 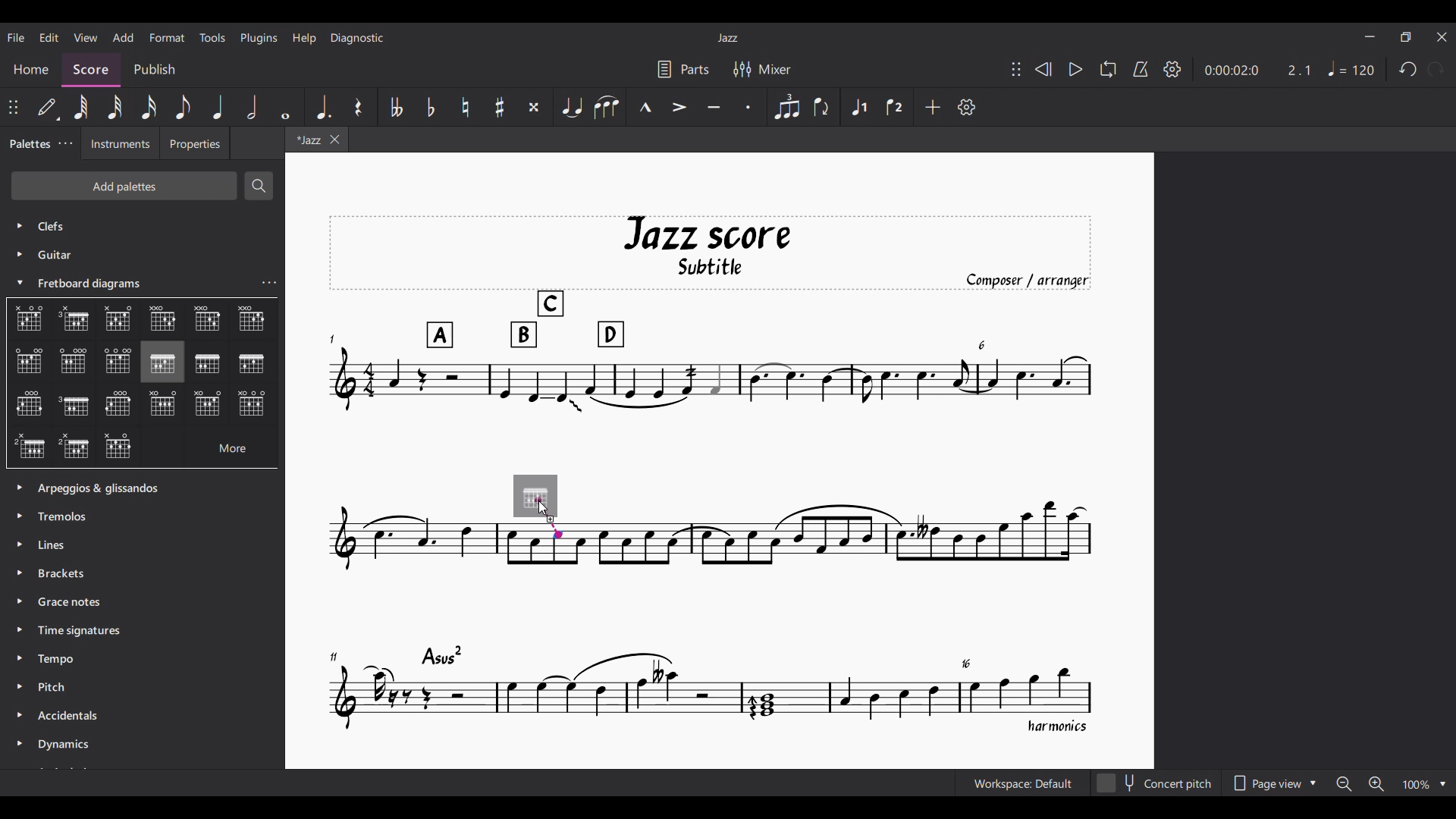 I want to click on Chart 17, so click(x=29, y=444).